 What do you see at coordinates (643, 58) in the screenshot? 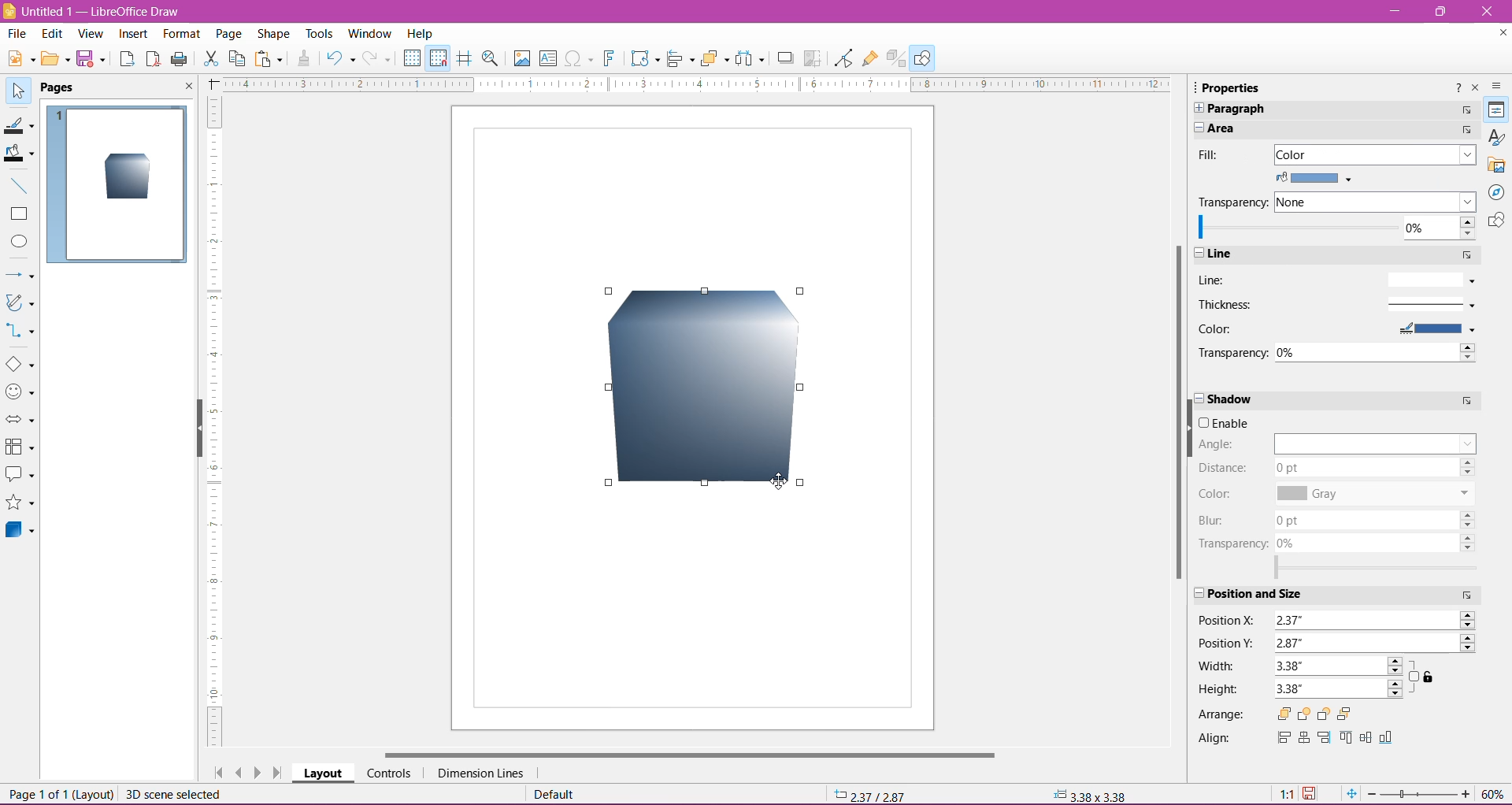
I see `Transformations` at bounding box center [643, 58].